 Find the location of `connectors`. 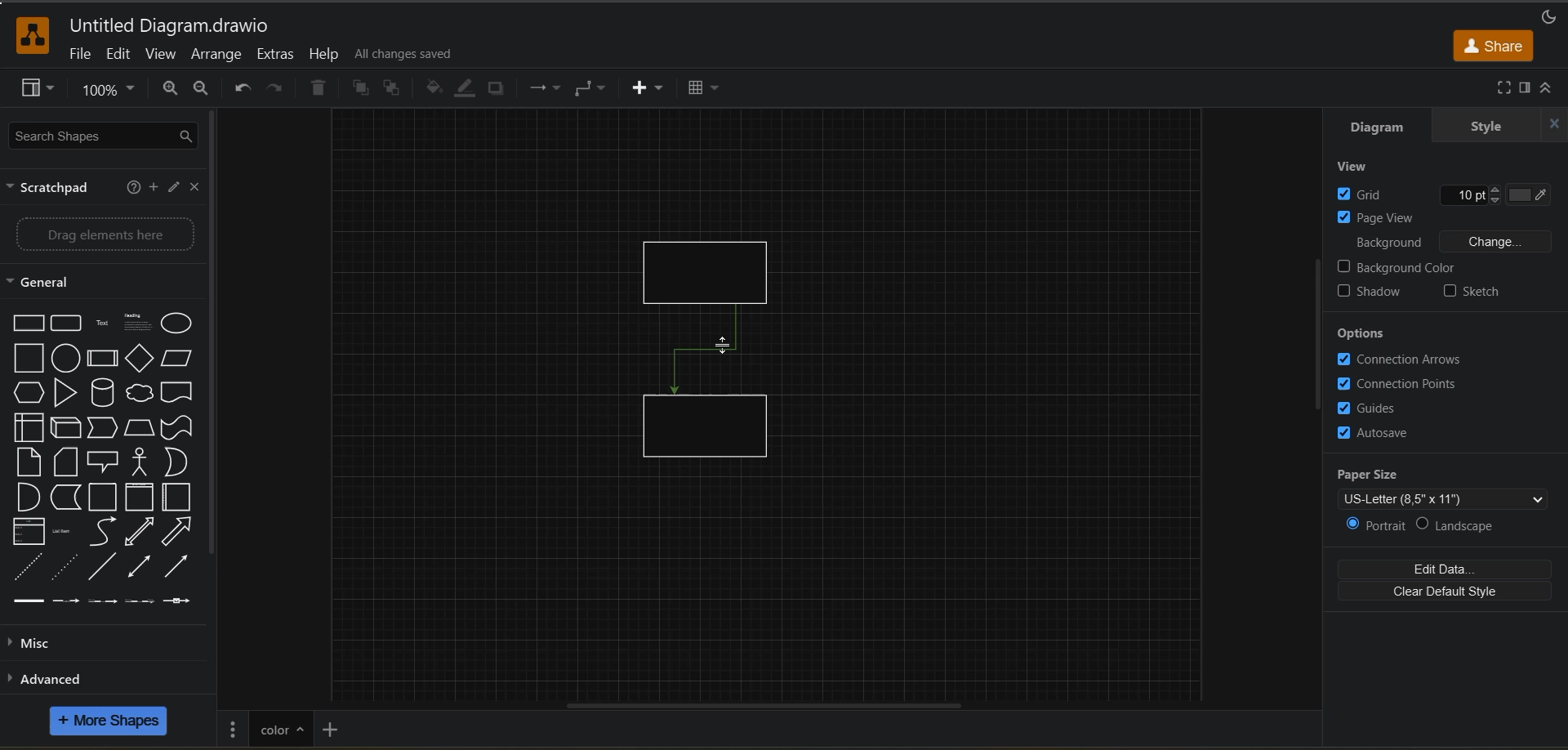

connectors is located at coordinates (592, 88).